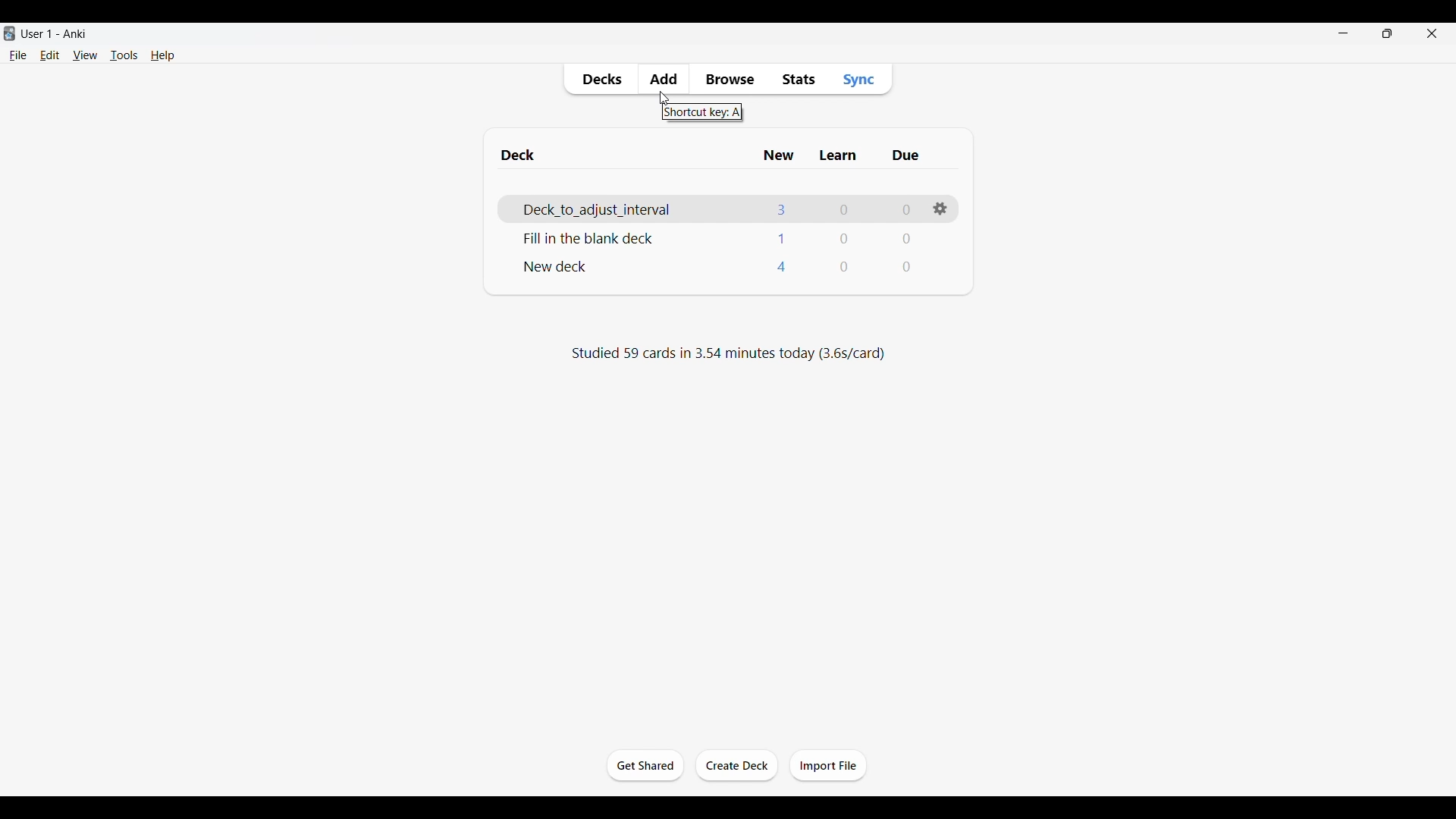  I want to click on Show interface in smaller tab, so click(1388, 33).